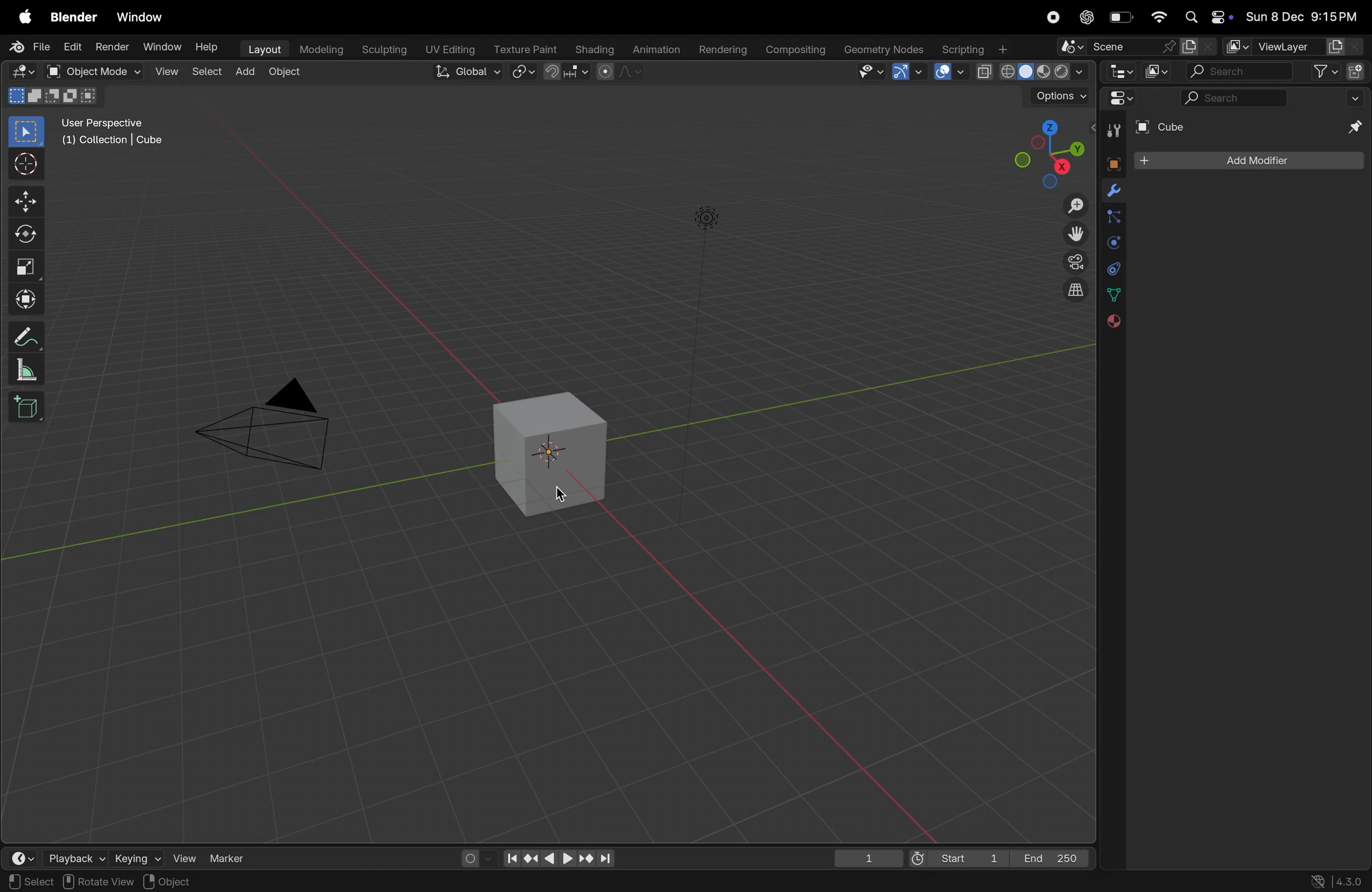  I want to click on view port shading, so click(1031, 72).